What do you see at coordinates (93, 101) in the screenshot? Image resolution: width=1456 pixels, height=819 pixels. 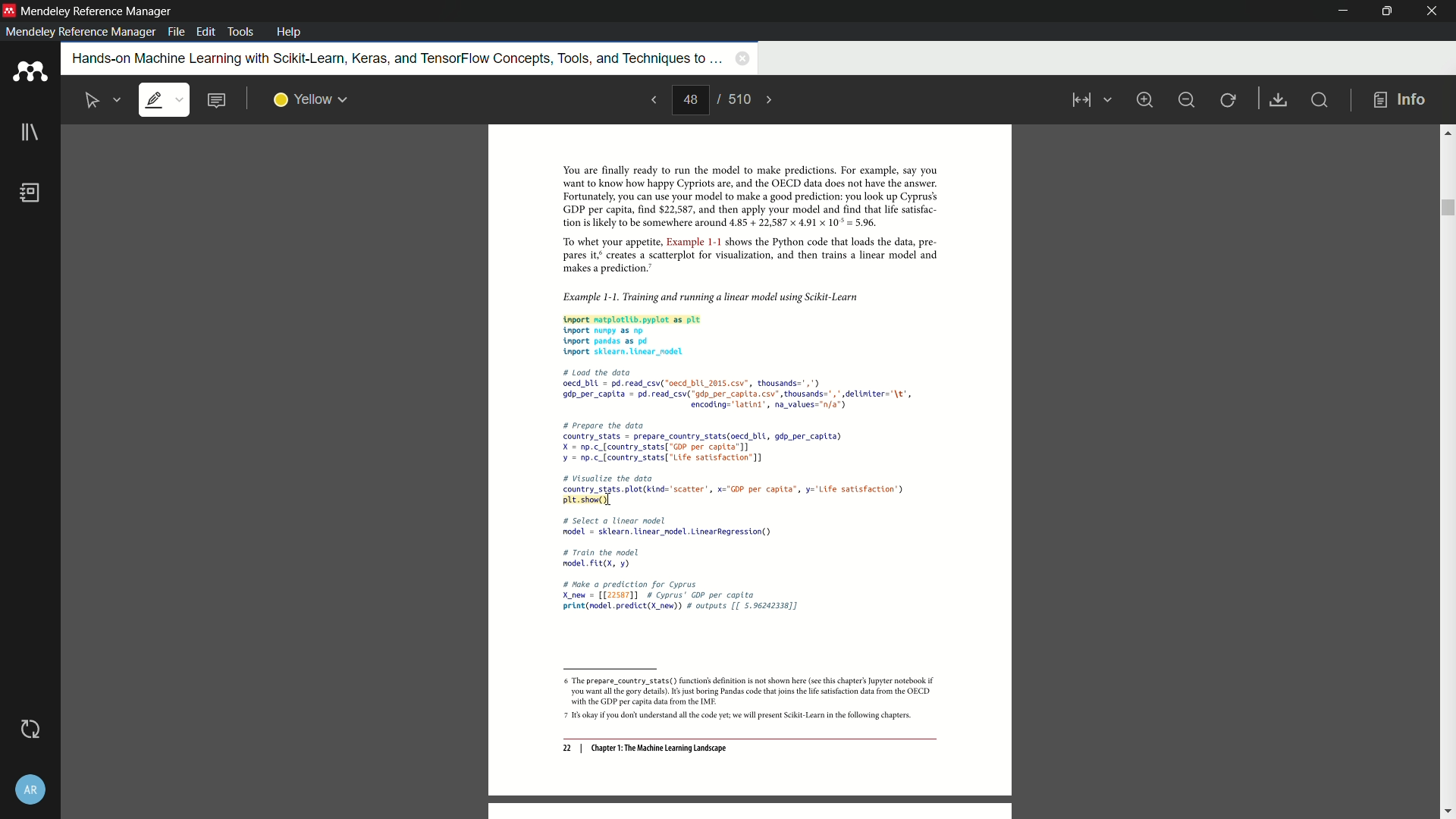 I see `select` at bounding box center [93, 101].